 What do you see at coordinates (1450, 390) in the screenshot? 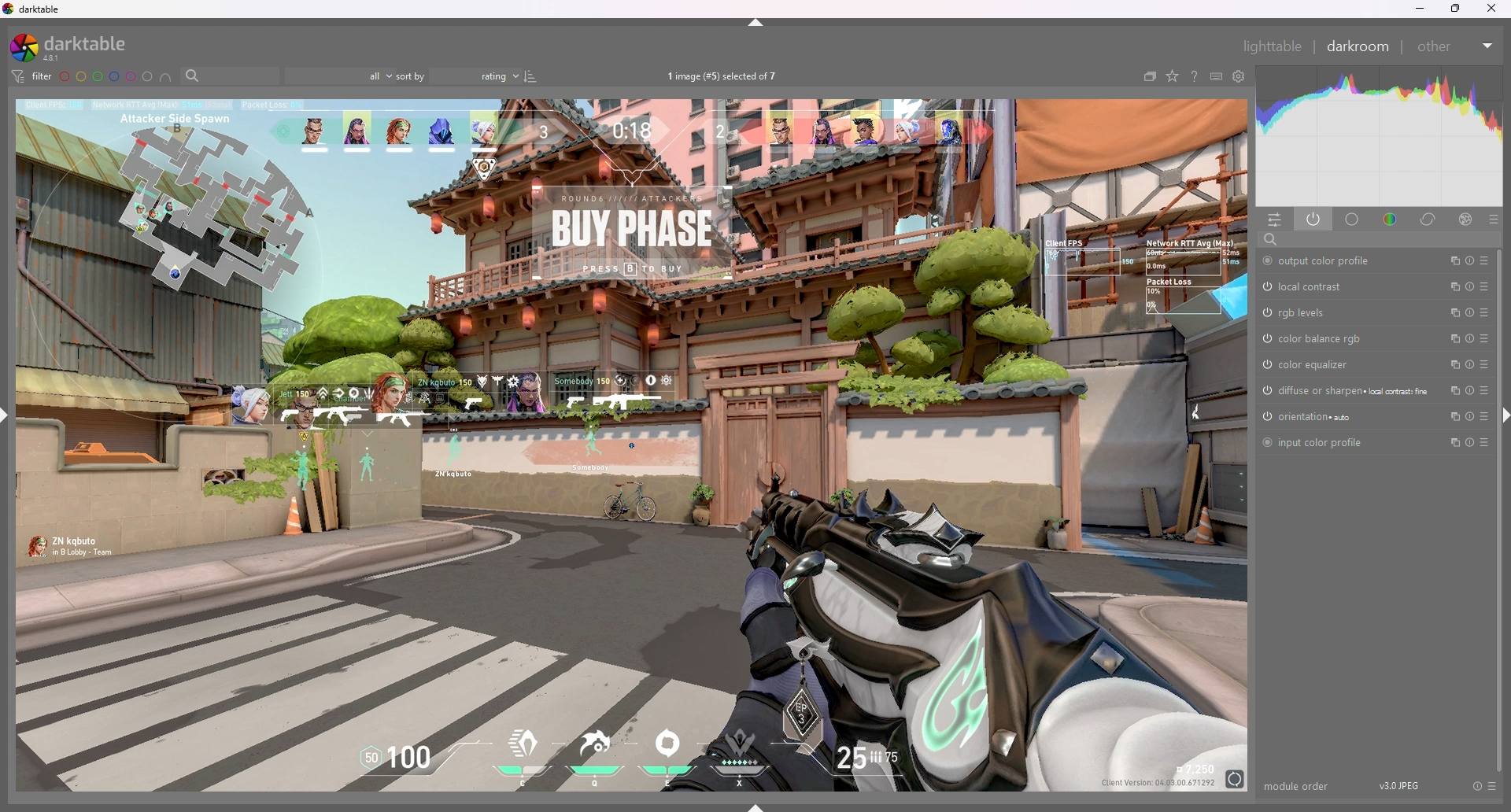
I see `multiple instances actions` at bounding box center [1450, 390].